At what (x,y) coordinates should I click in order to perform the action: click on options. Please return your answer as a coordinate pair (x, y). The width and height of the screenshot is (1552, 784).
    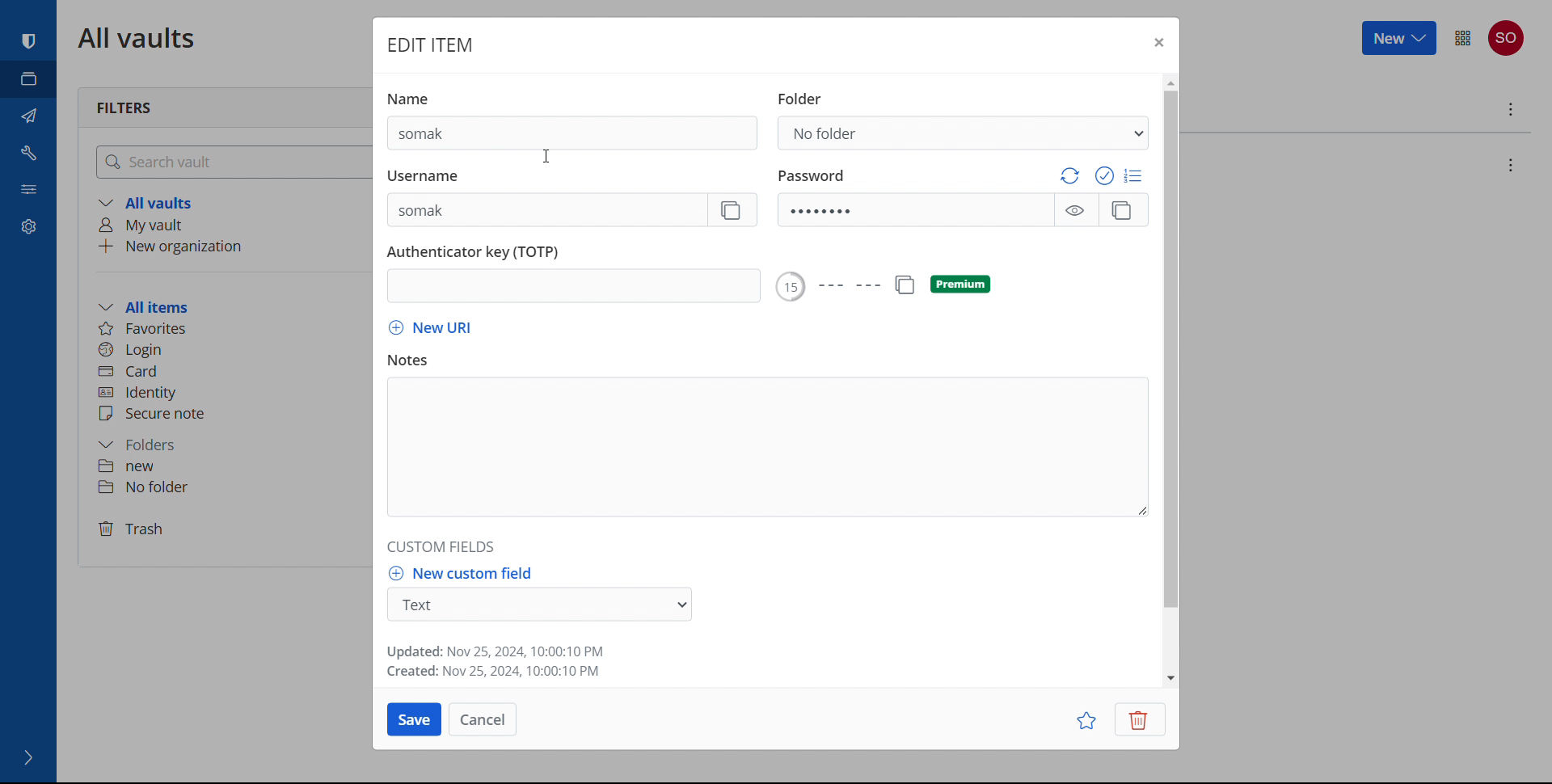
    Looking at the image, I should click on (1508, 165).